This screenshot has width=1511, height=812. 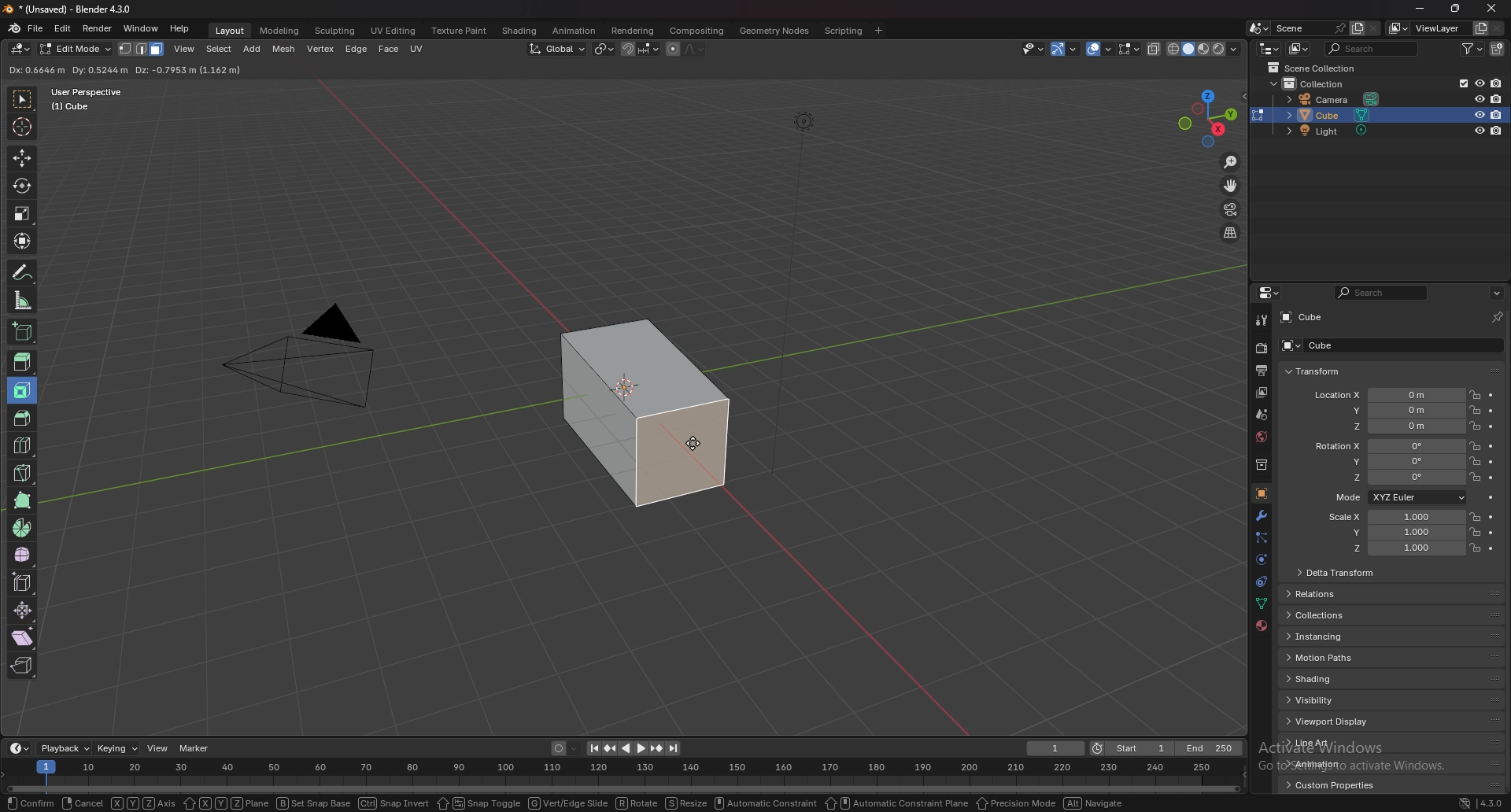 I want to click on camera viewpoint, so click(x=1230, y=210).